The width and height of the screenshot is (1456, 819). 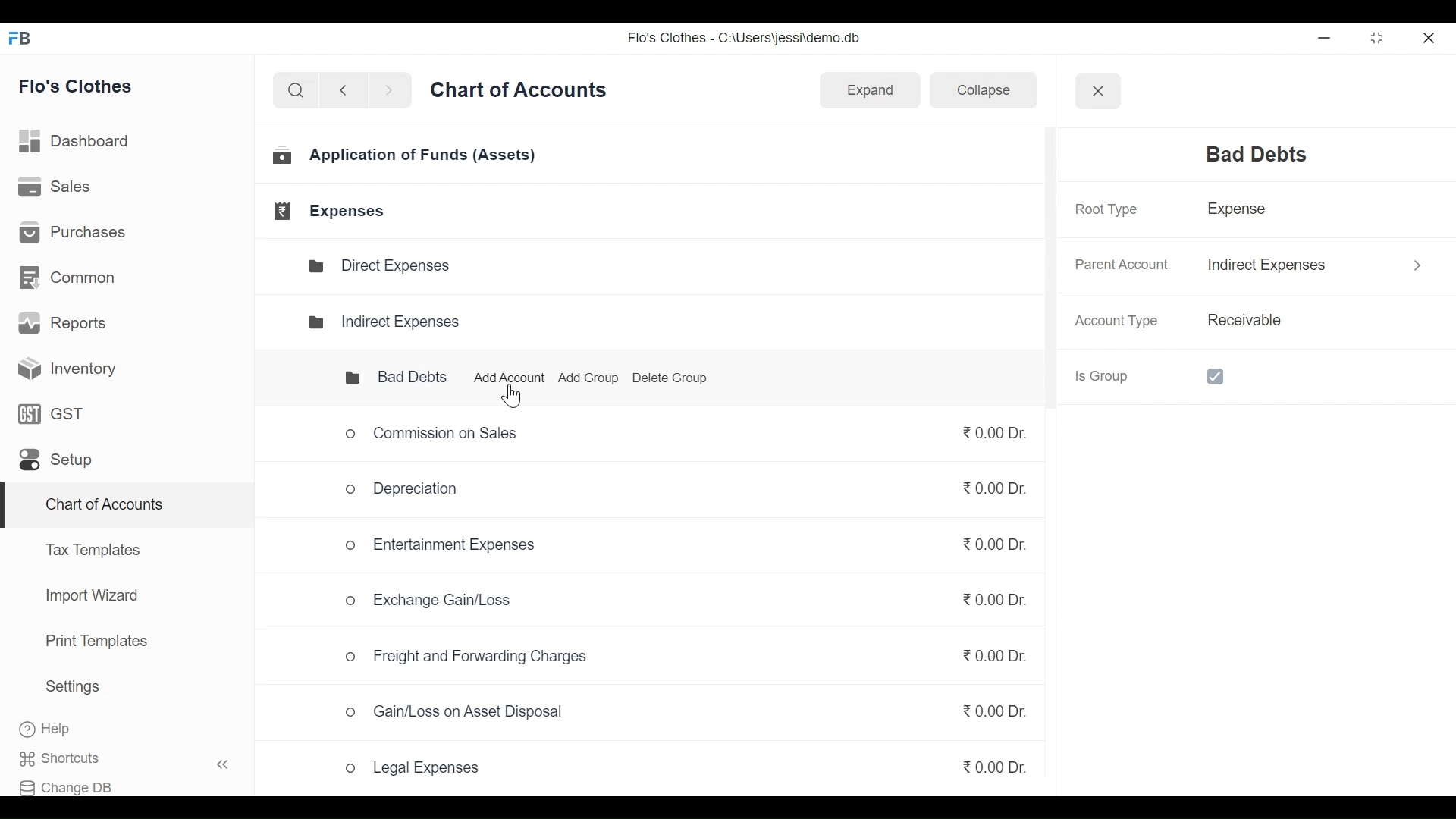 What do you see at coordinates (1120, 322) in the screenshot?
I see `Account Type` at bounding box center [1120, 322].